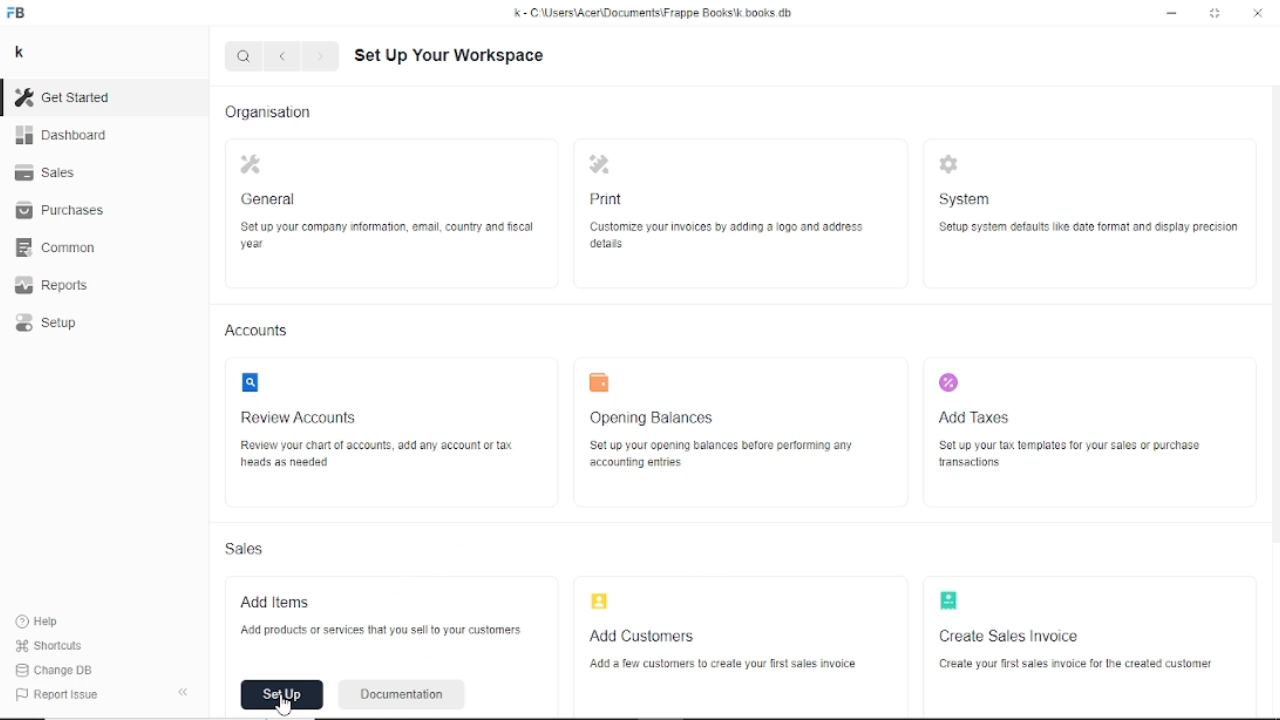  I want to click on Set up, so click(282, 695).